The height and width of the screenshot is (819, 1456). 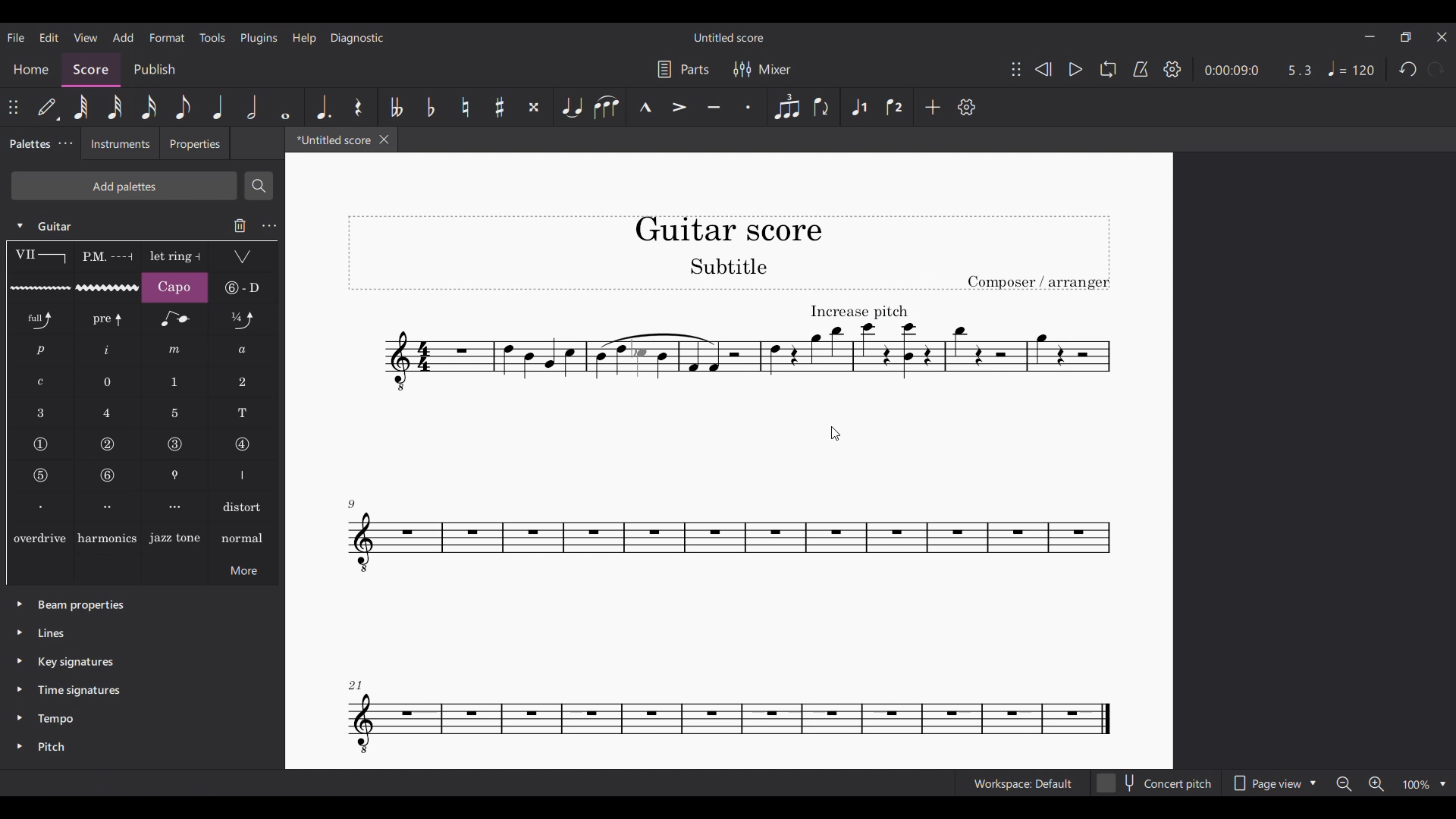 I want to click on 64th note, so click(x=81, y=107).